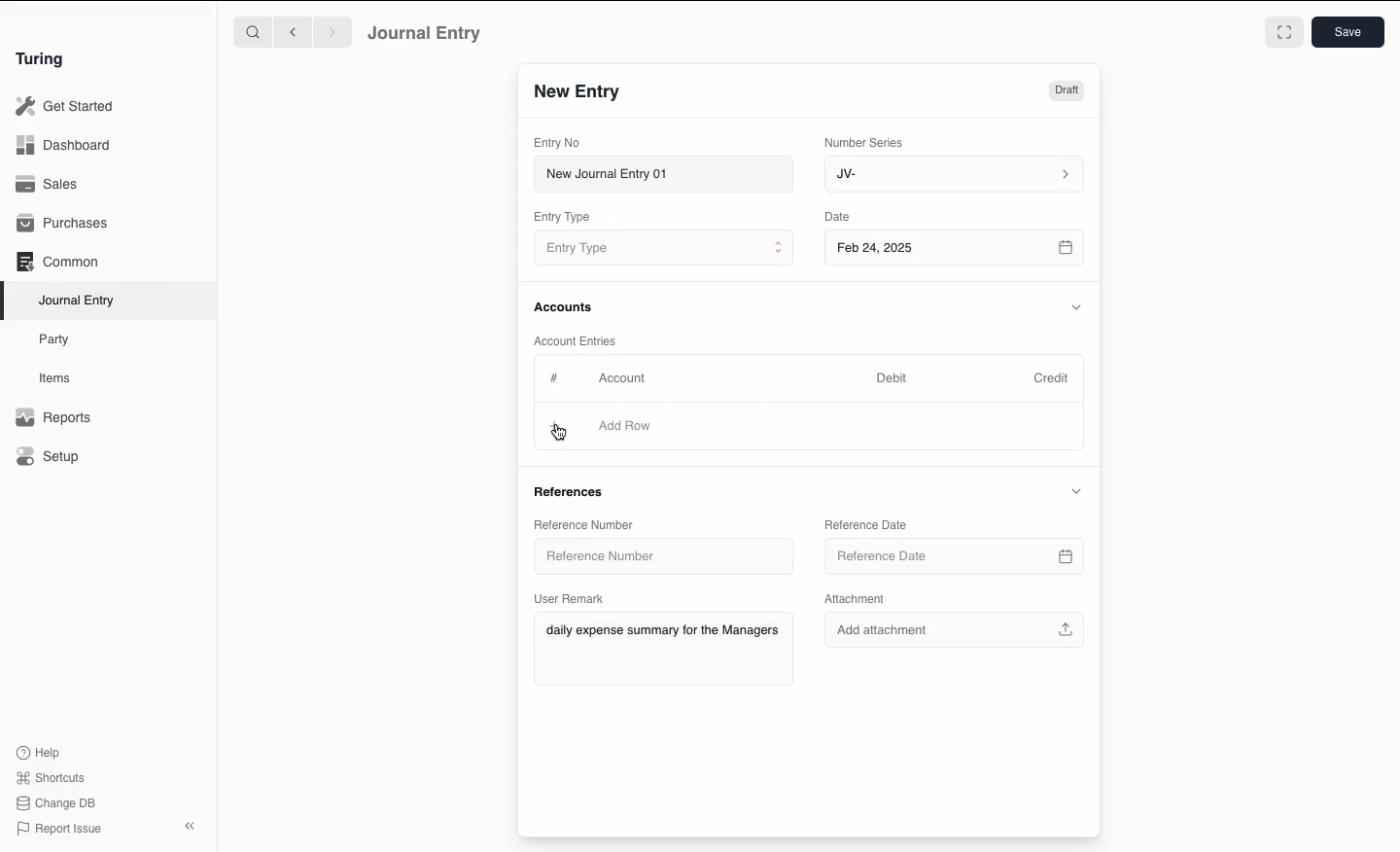 This screenshot has height=852, width=1400. I want to click on Journal Entry, so click(426, 34).